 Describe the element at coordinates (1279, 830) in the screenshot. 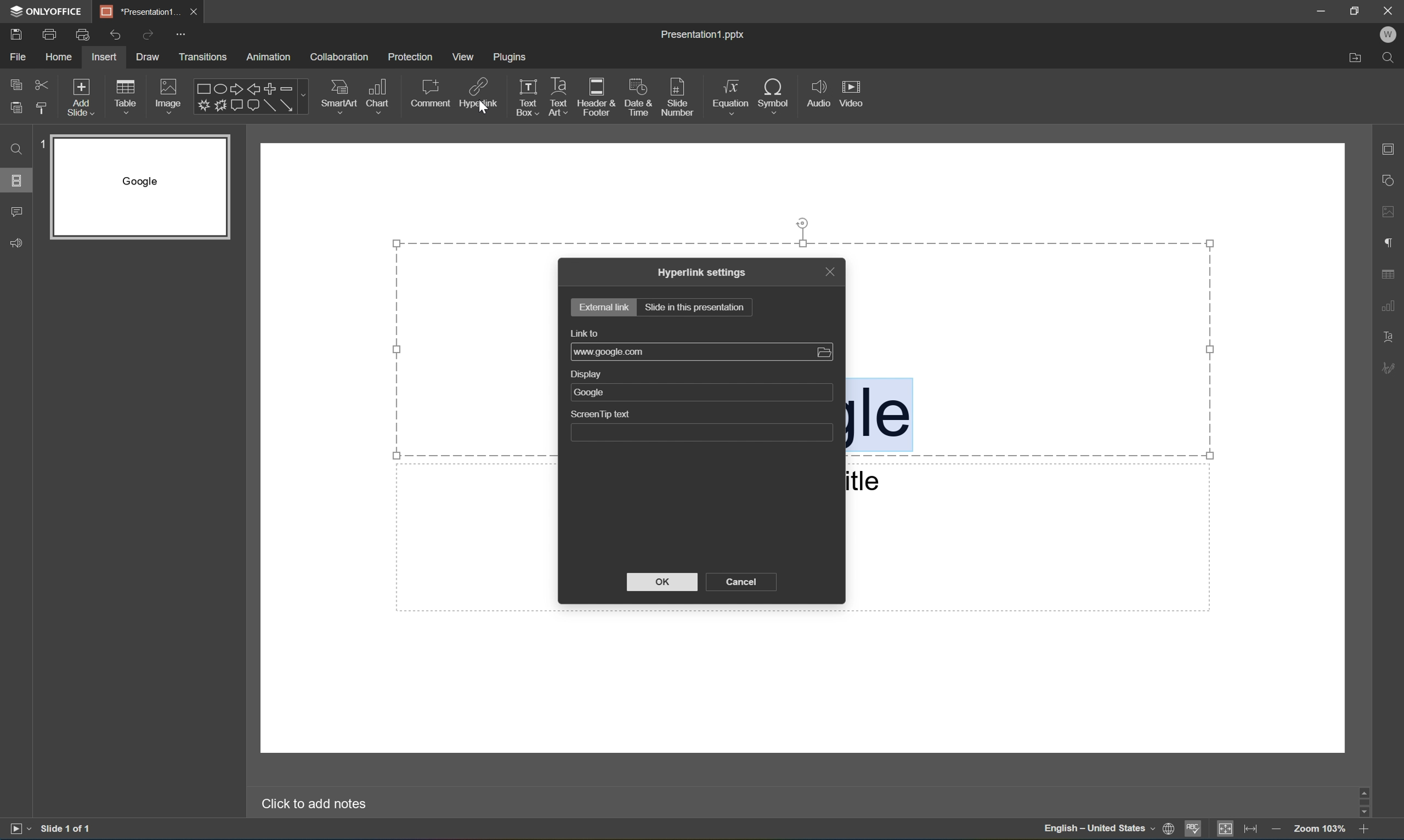

I see `Zoom out` at that location.